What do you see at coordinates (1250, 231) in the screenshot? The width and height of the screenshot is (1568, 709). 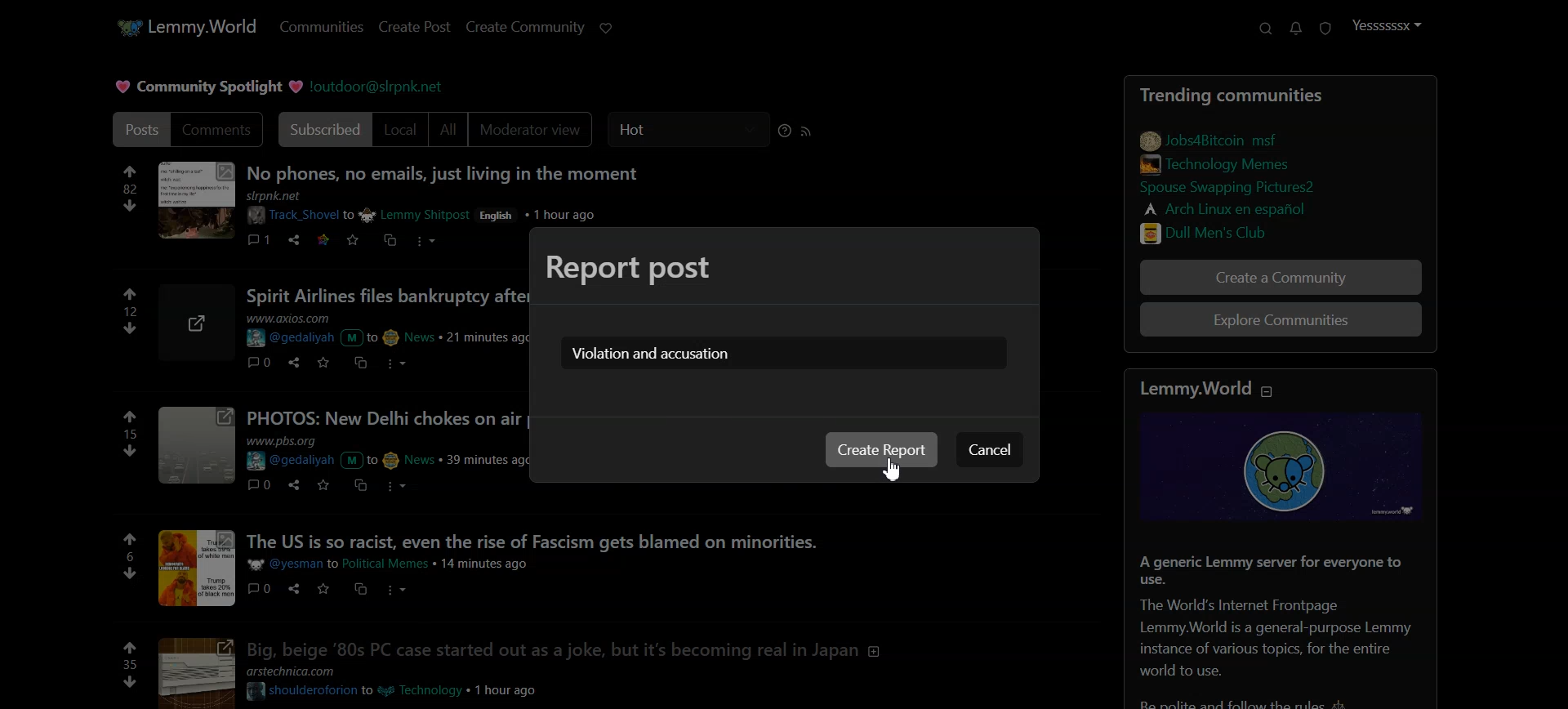 I see `link` at bounding box center [1250, 231].